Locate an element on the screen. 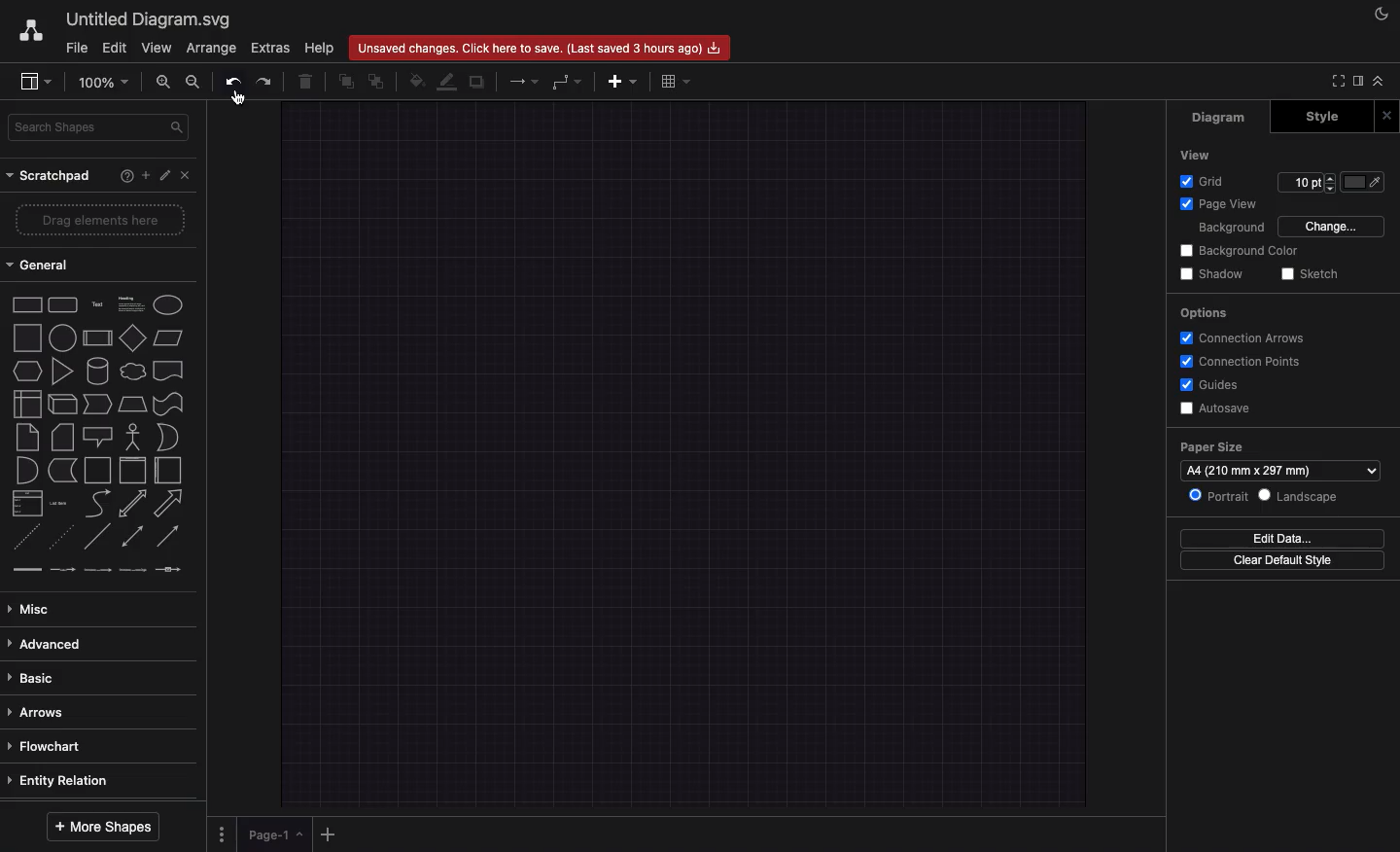 This screenshot has width=1400, height=852. Help is located at coordinates (123, 178).